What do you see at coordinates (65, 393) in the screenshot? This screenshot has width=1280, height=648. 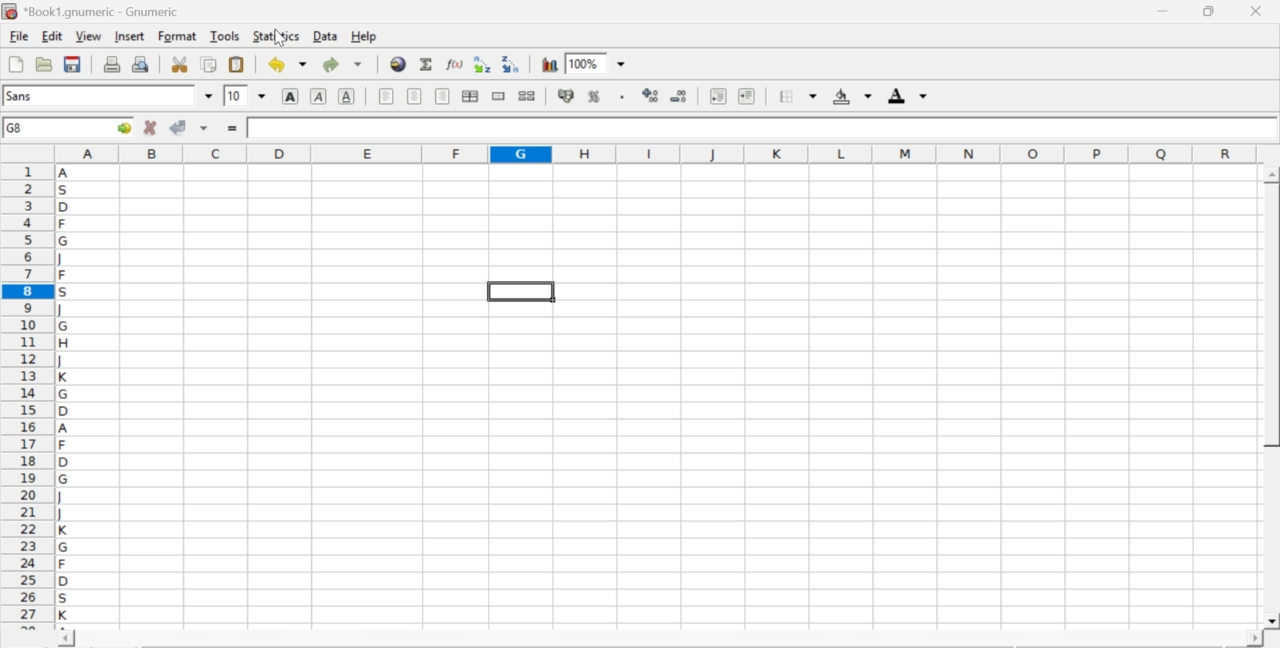 I see `alphabets` at bounding box center [65, 393].